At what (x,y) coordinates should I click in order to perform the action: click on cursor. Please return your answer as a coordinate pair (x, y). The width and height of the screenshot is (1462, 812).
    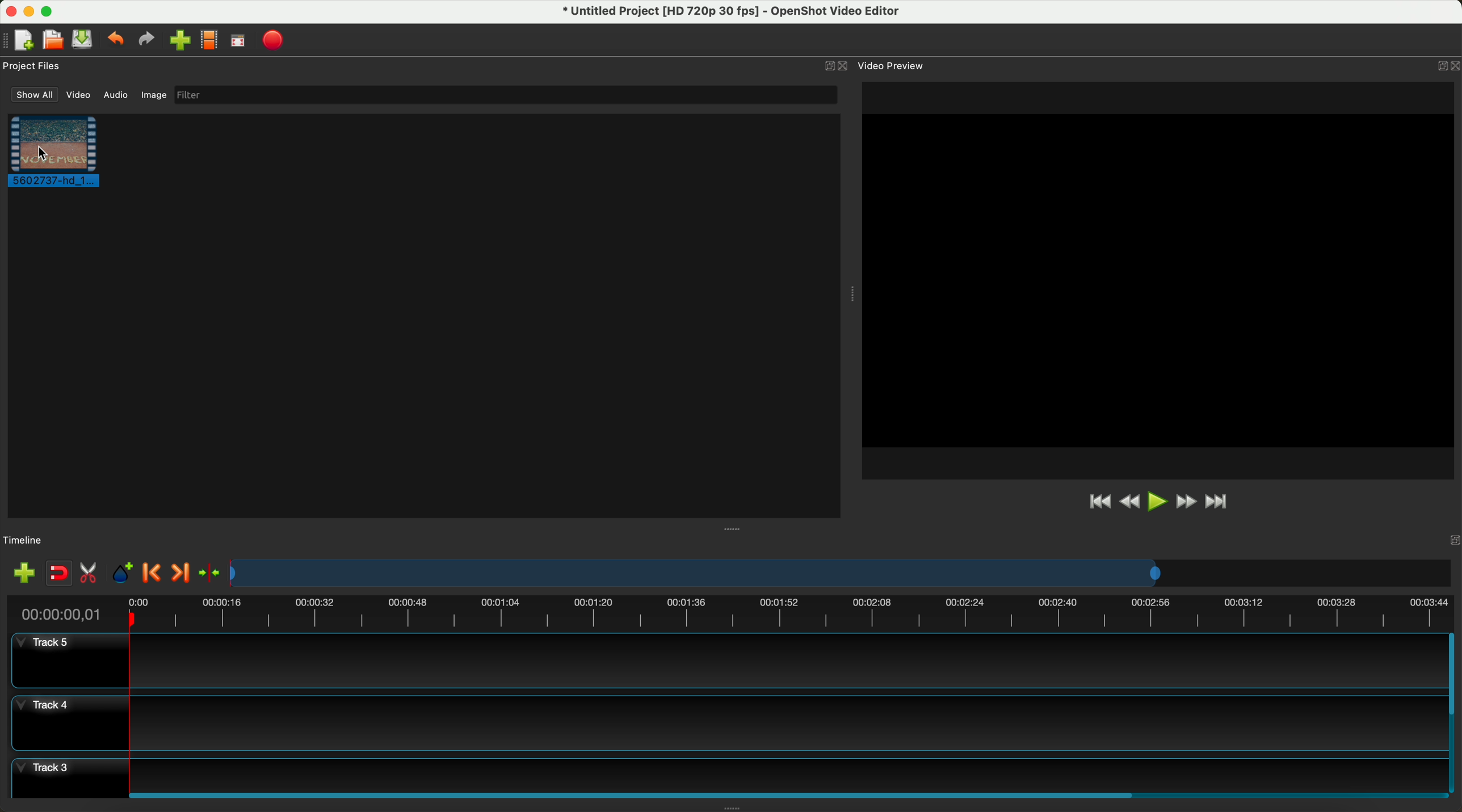
    Looking at the image, I should click on (44, 154).